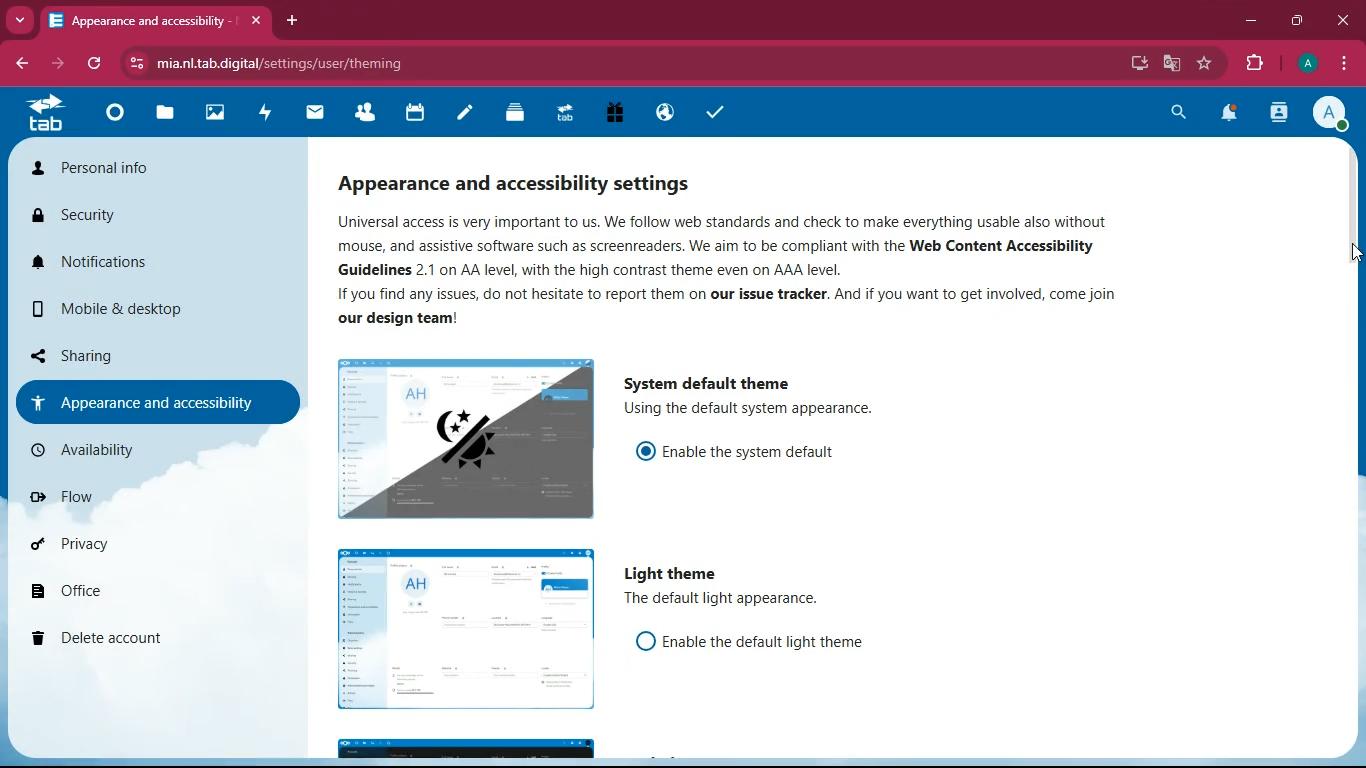 This screenshot has width=1366, height=768. Describe the element at coordinates (91, 65) in the screenshot. I see `refresh` at that location.